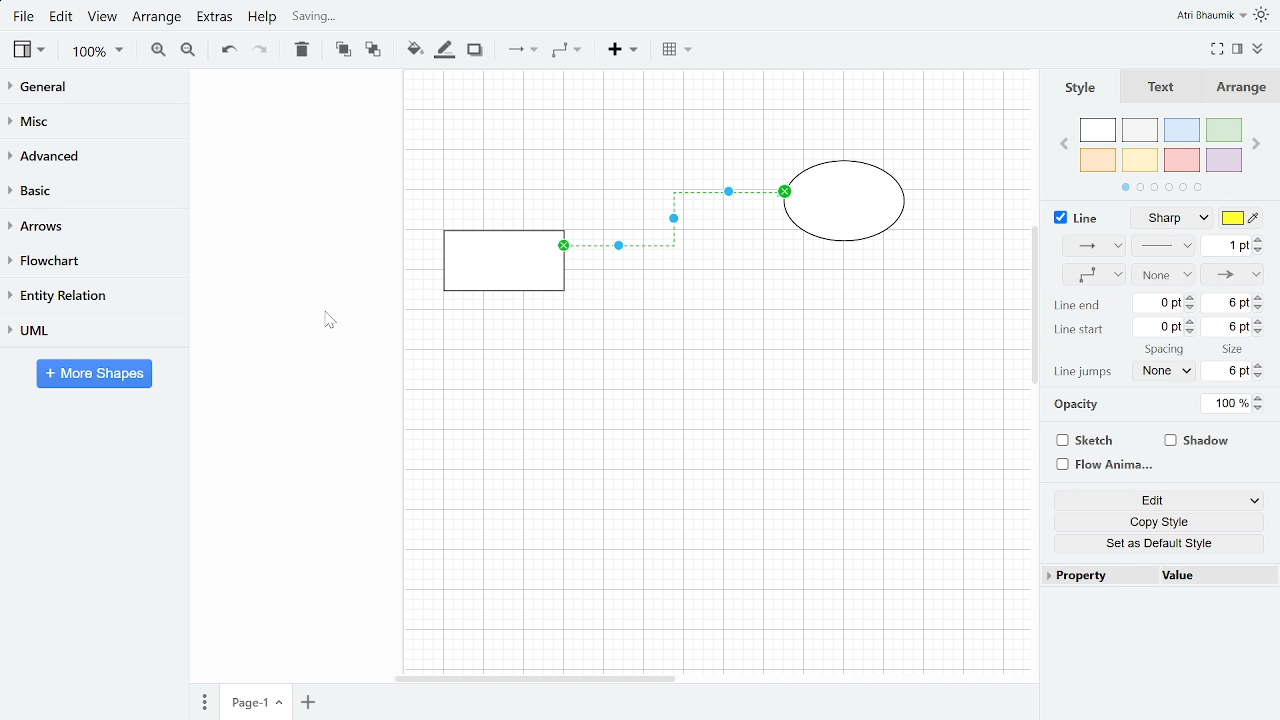 The height and width of the screenshot is (720, 1280). I want to click on Fill color, so click(414, 49).